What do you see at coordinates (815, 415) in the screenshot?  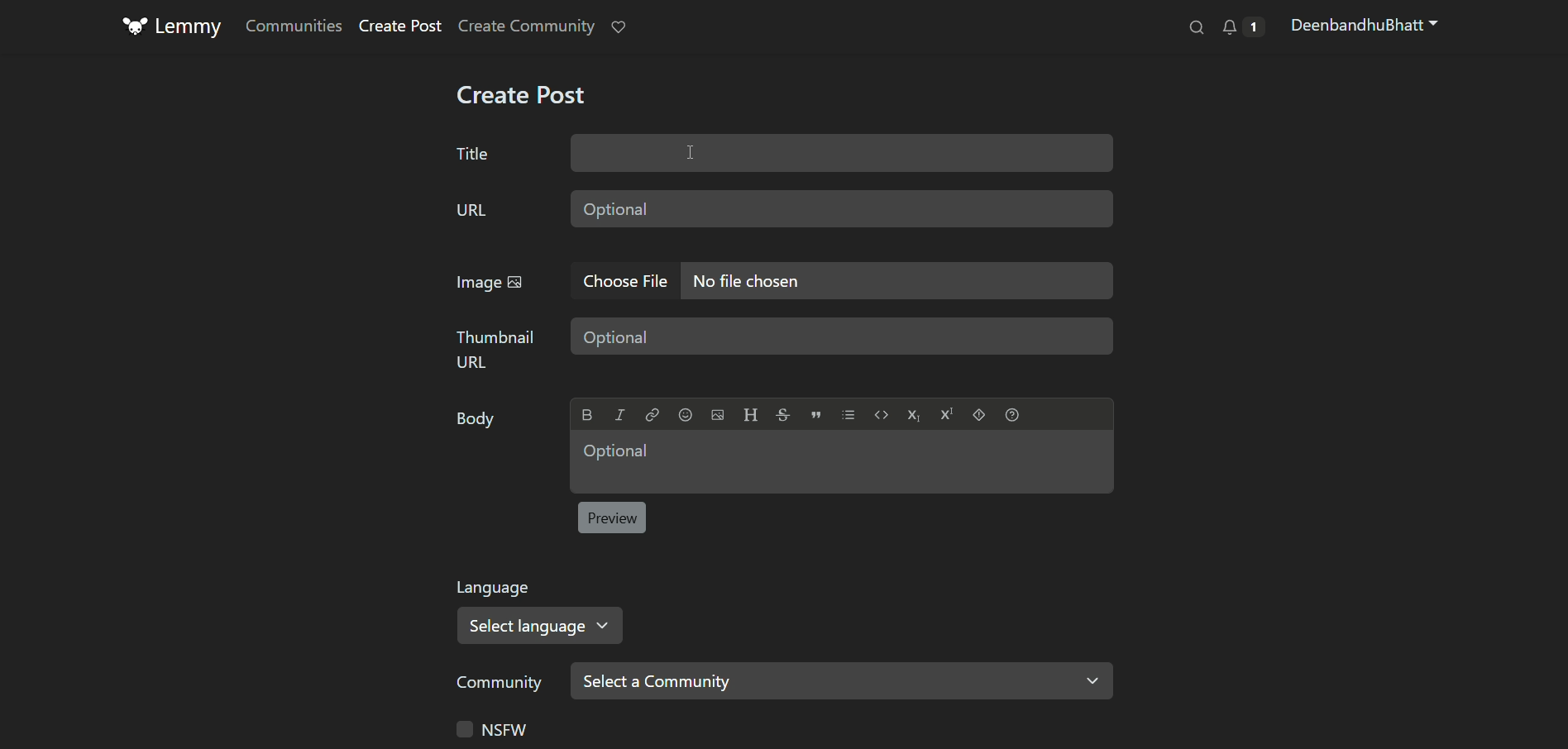 I see `Quote` at bounding box center [815, 415].